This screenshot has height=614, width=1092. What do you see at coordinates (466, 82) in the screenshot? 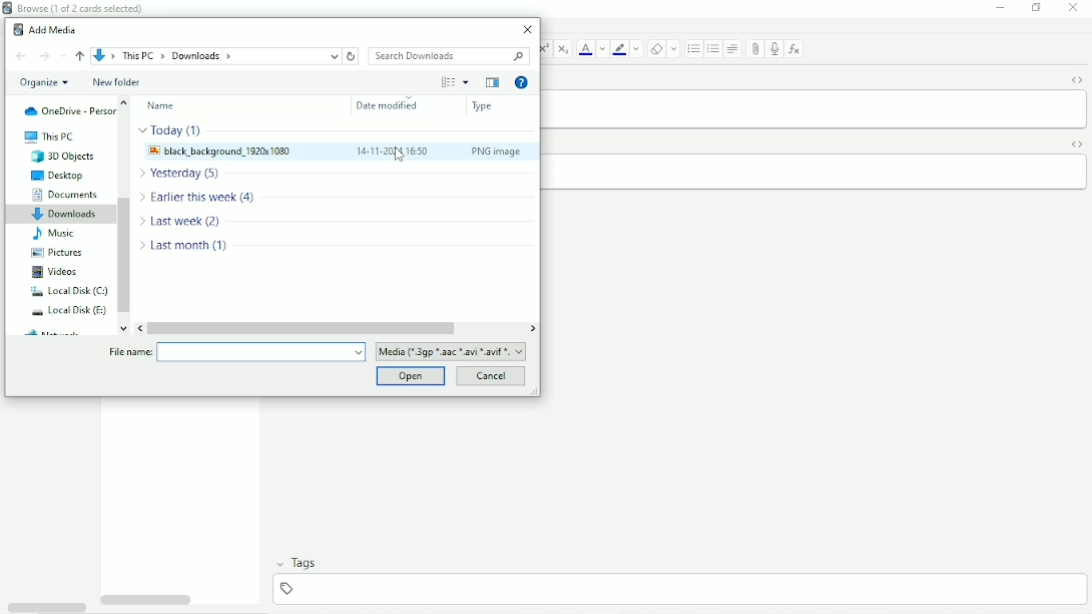
I see `More Options` at bounding box center [466, 82].